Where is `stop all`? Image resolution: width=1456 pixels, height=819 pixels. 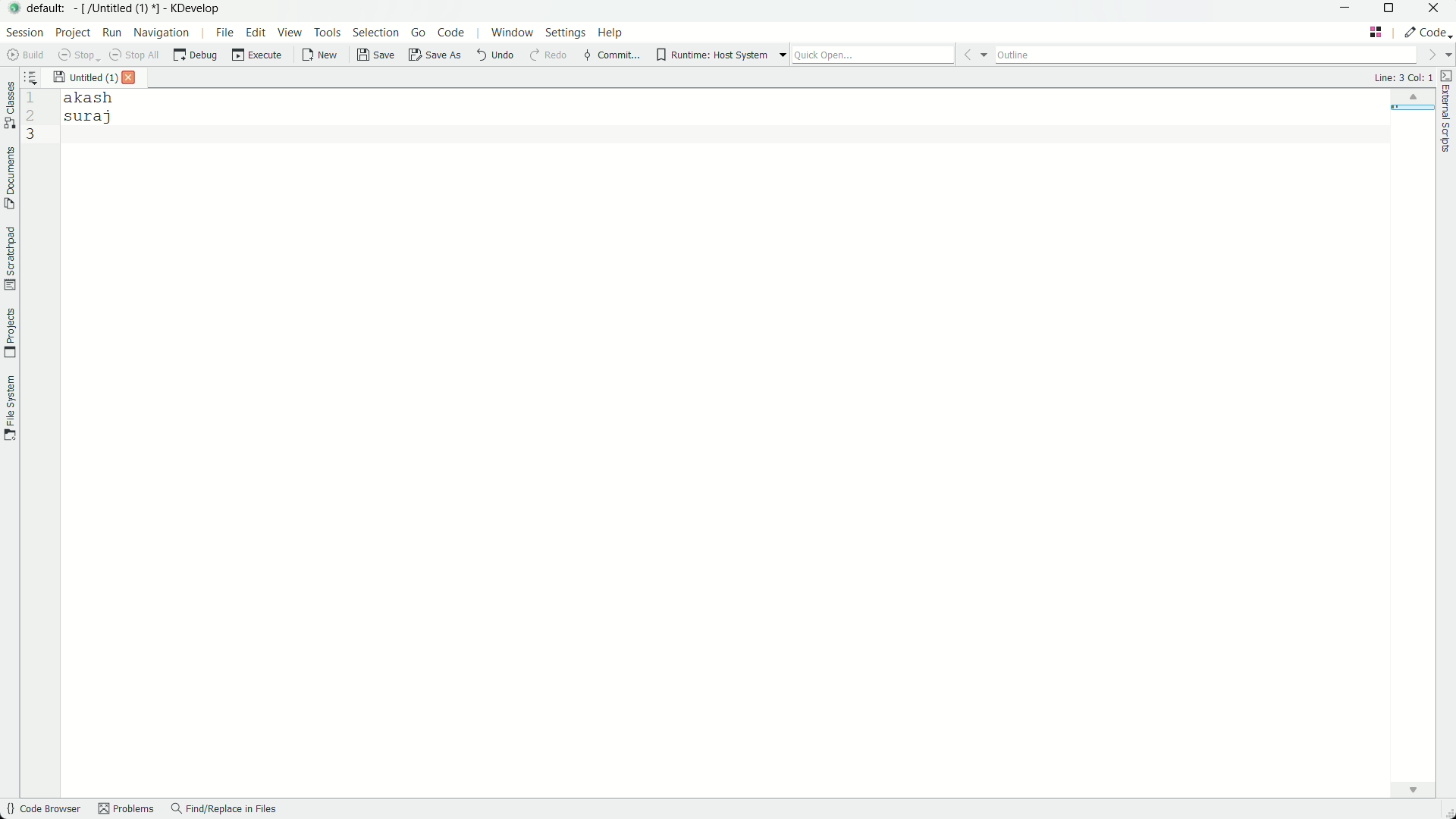 stop all is located at coordinates (133, 55).